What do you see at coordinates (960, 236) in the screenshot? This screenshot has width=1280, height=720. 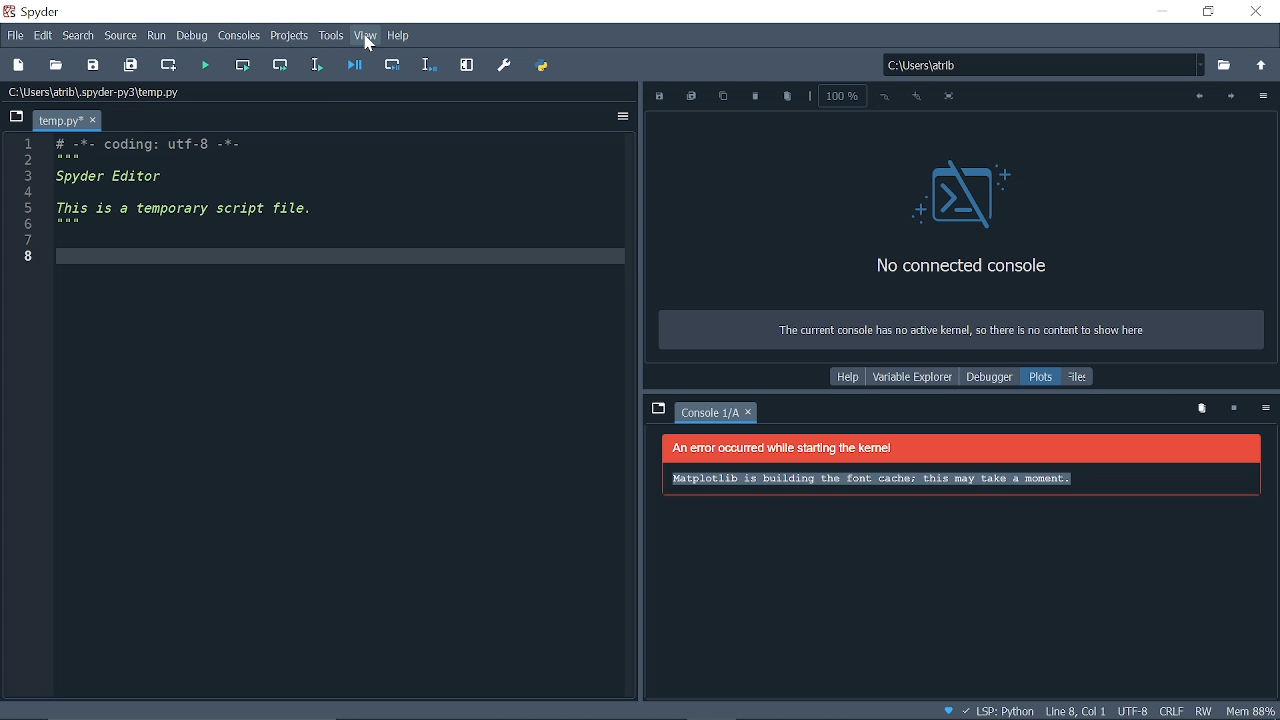 I see `Space for displaying consoles` at bounding box center [960, 236].